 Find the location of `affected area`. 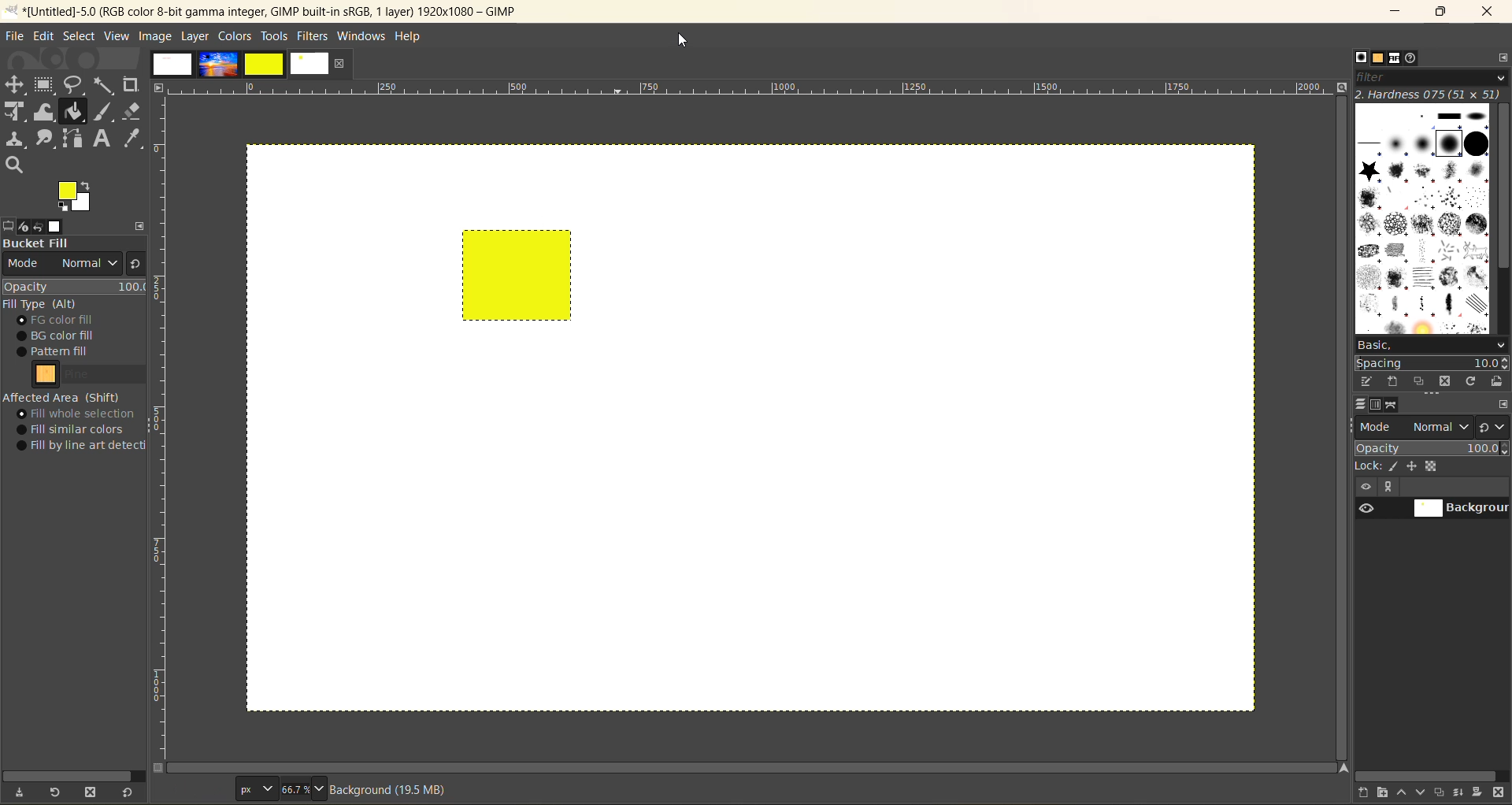

affected area is located at coordinates (63, 397).